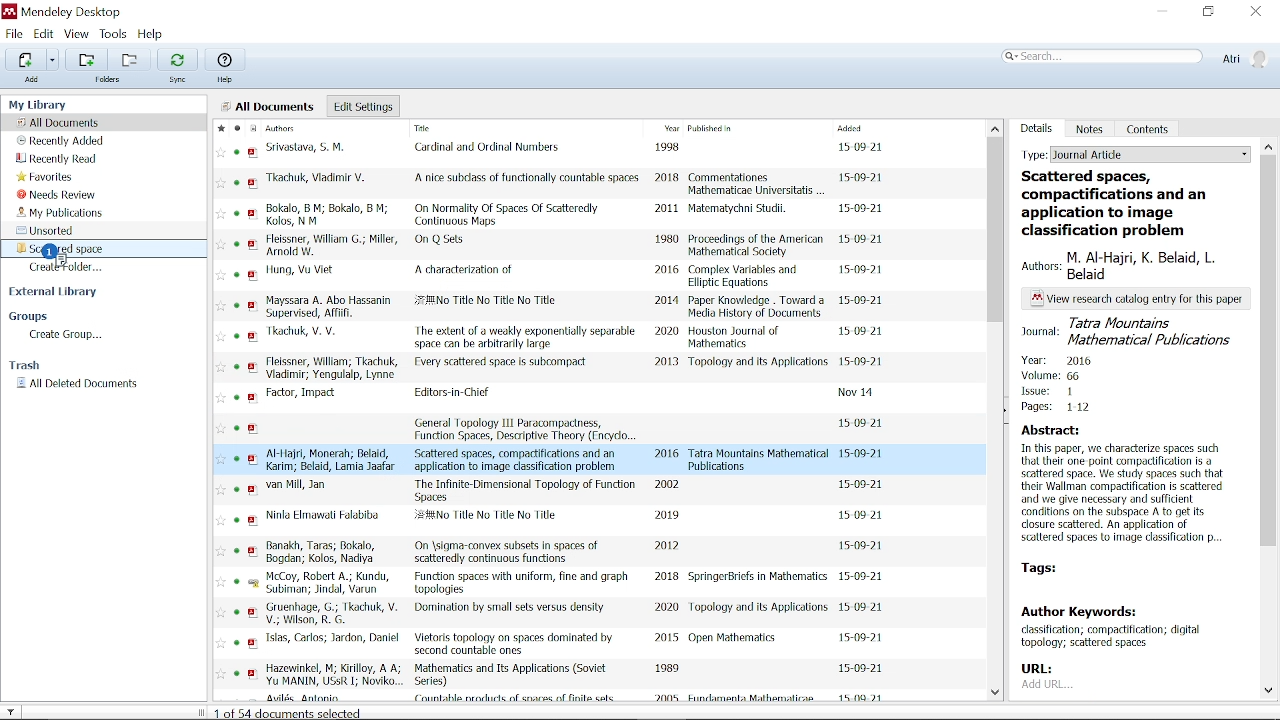 This screenshot has width=1280, height=720. What do you see at coordinates (57, 160) in the screenshot?
I see `Recently read` at bounding box center [57, 160].